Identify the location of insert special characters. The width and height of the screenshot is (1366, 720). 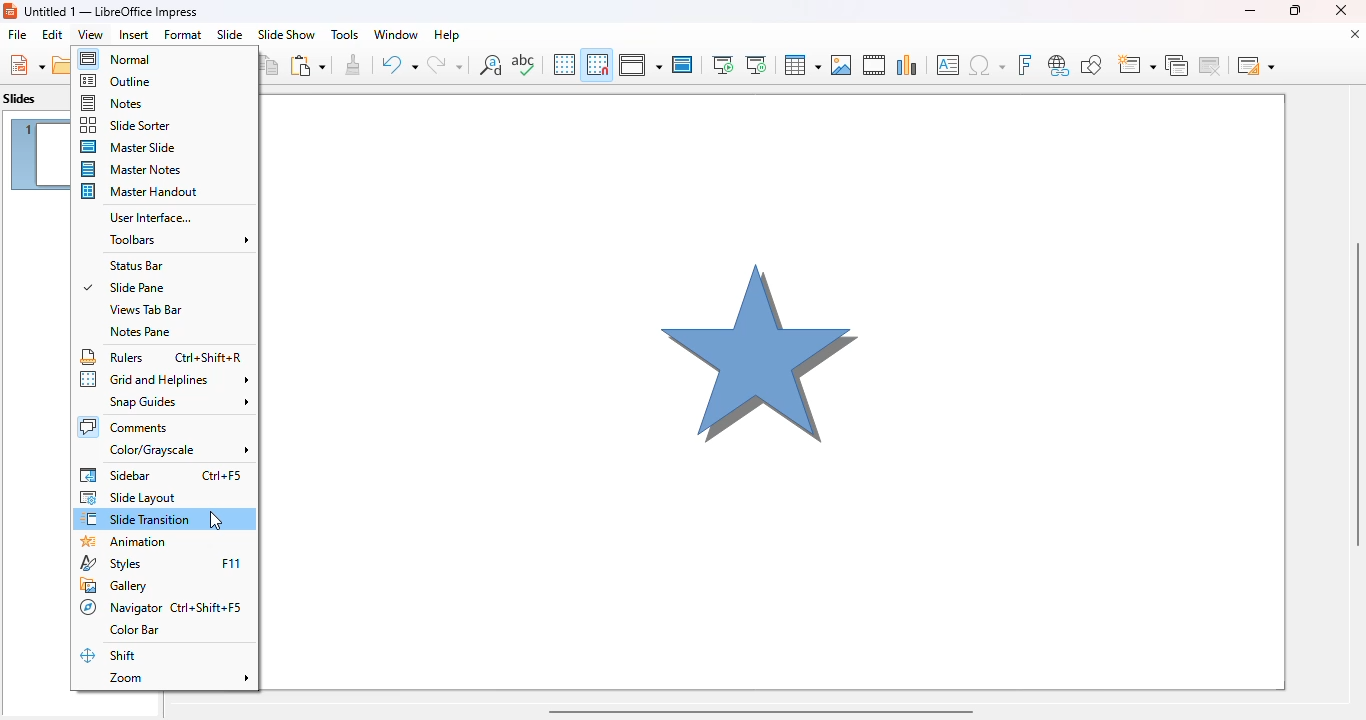
(987, 65).